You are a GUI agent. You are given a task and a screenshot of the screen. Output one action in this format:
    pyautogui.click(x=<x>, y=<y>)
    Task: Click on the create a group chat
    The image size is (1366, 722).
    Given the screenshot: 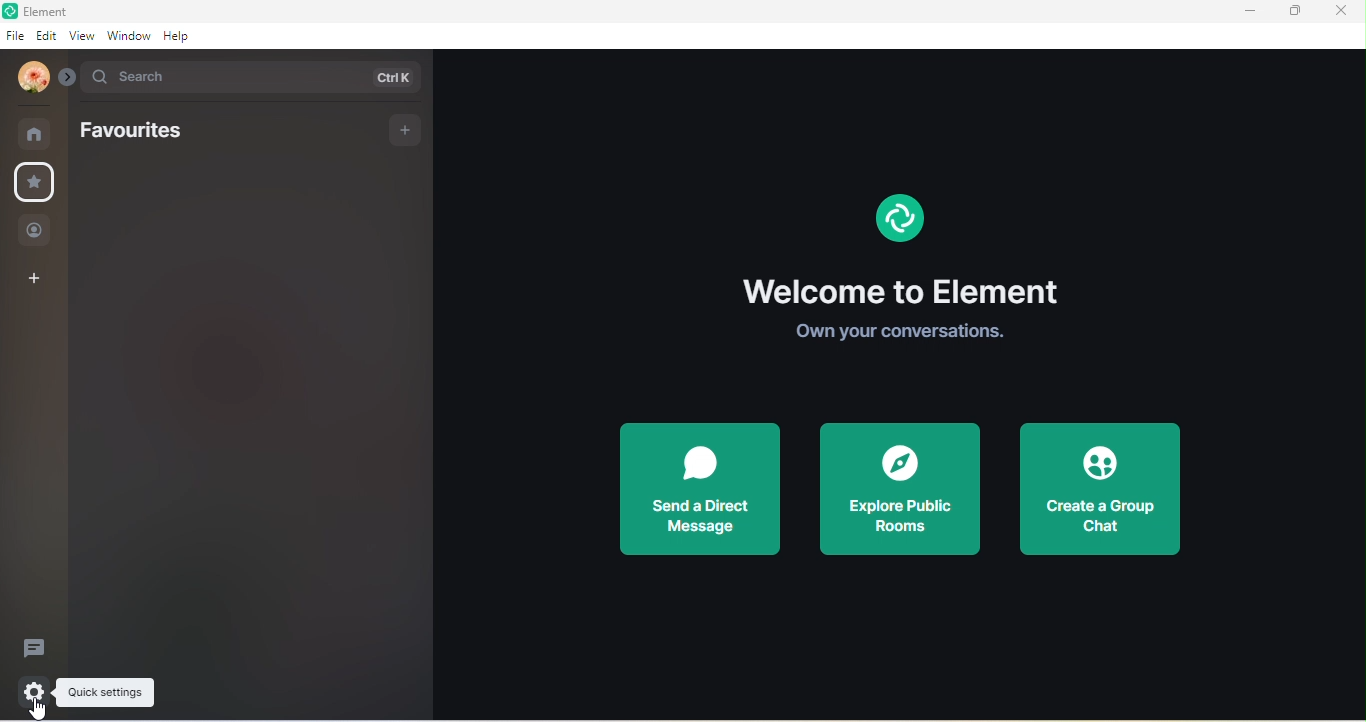 What is the action you would take?
    pyautogui.click(x=1098, y=487)
    